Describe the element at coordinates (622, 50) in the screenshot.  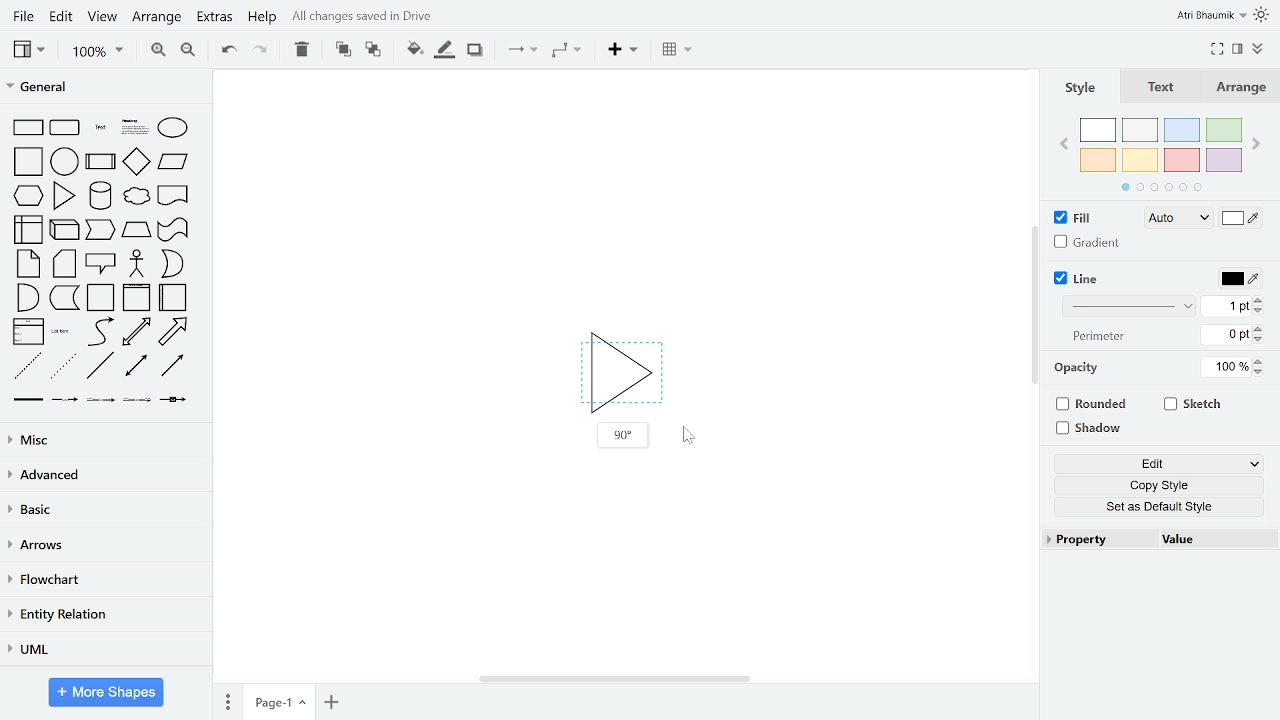
I see `insert` at that location.